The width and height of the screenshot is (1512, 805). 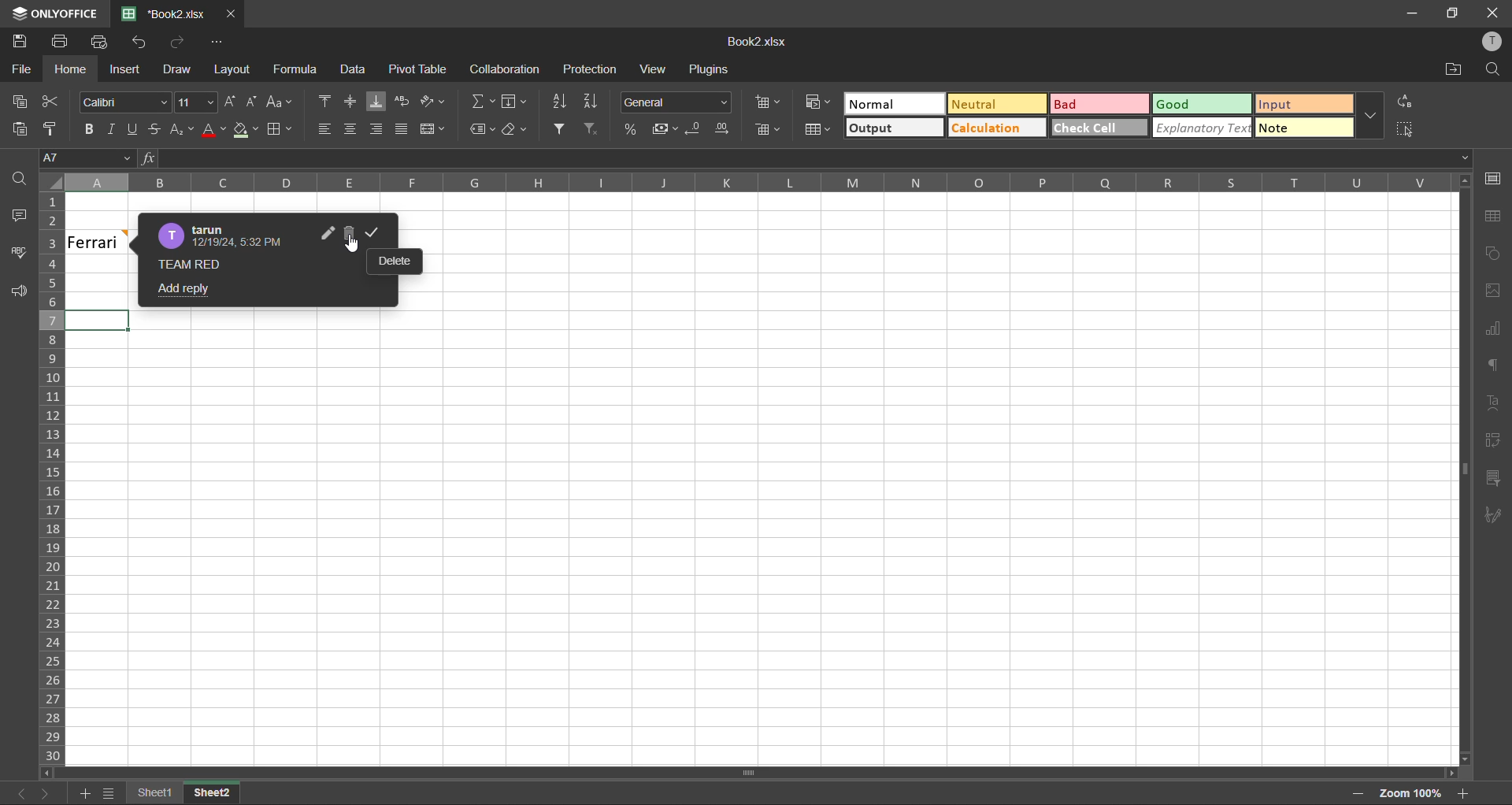 I want to click on insert cells, so click(x=770, y=104).